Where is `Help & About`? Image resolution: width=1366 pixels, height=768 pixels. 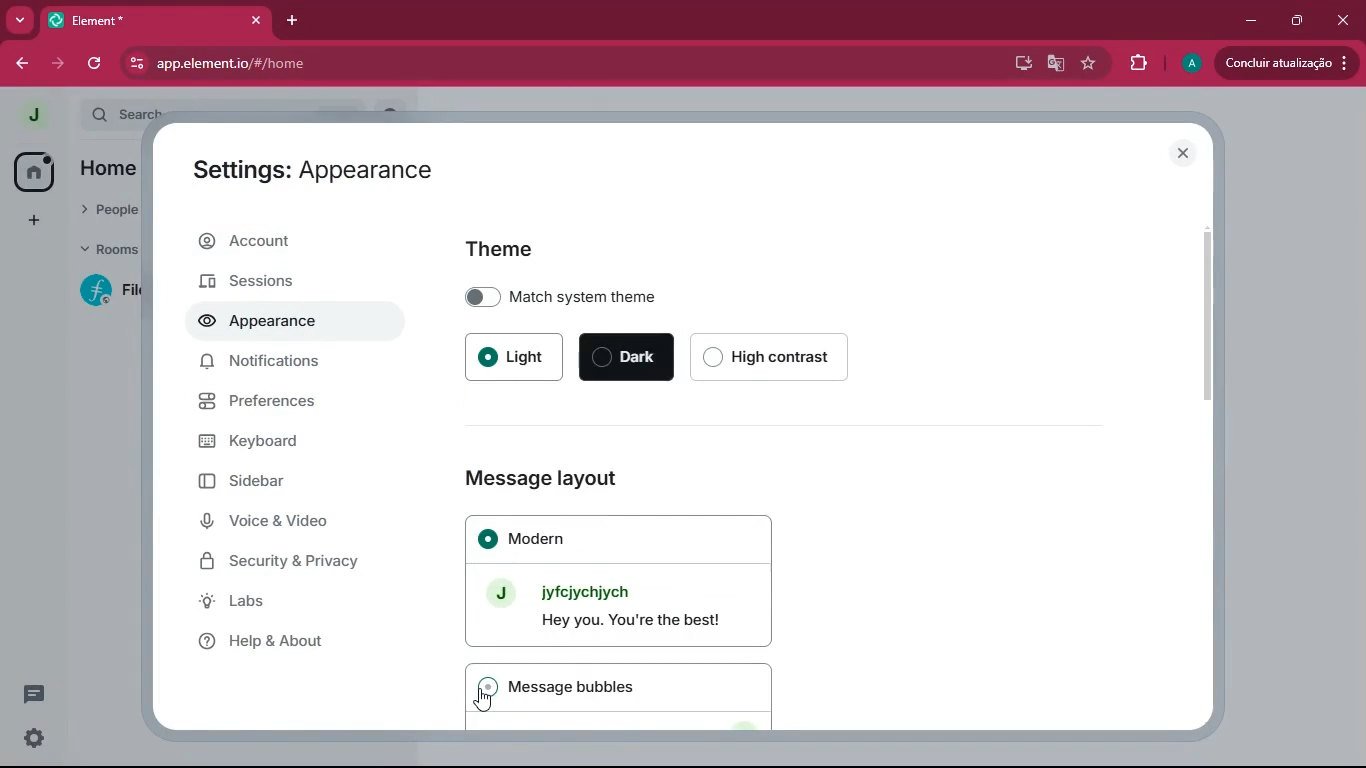
Help & About is located at coordinates (266, 643).